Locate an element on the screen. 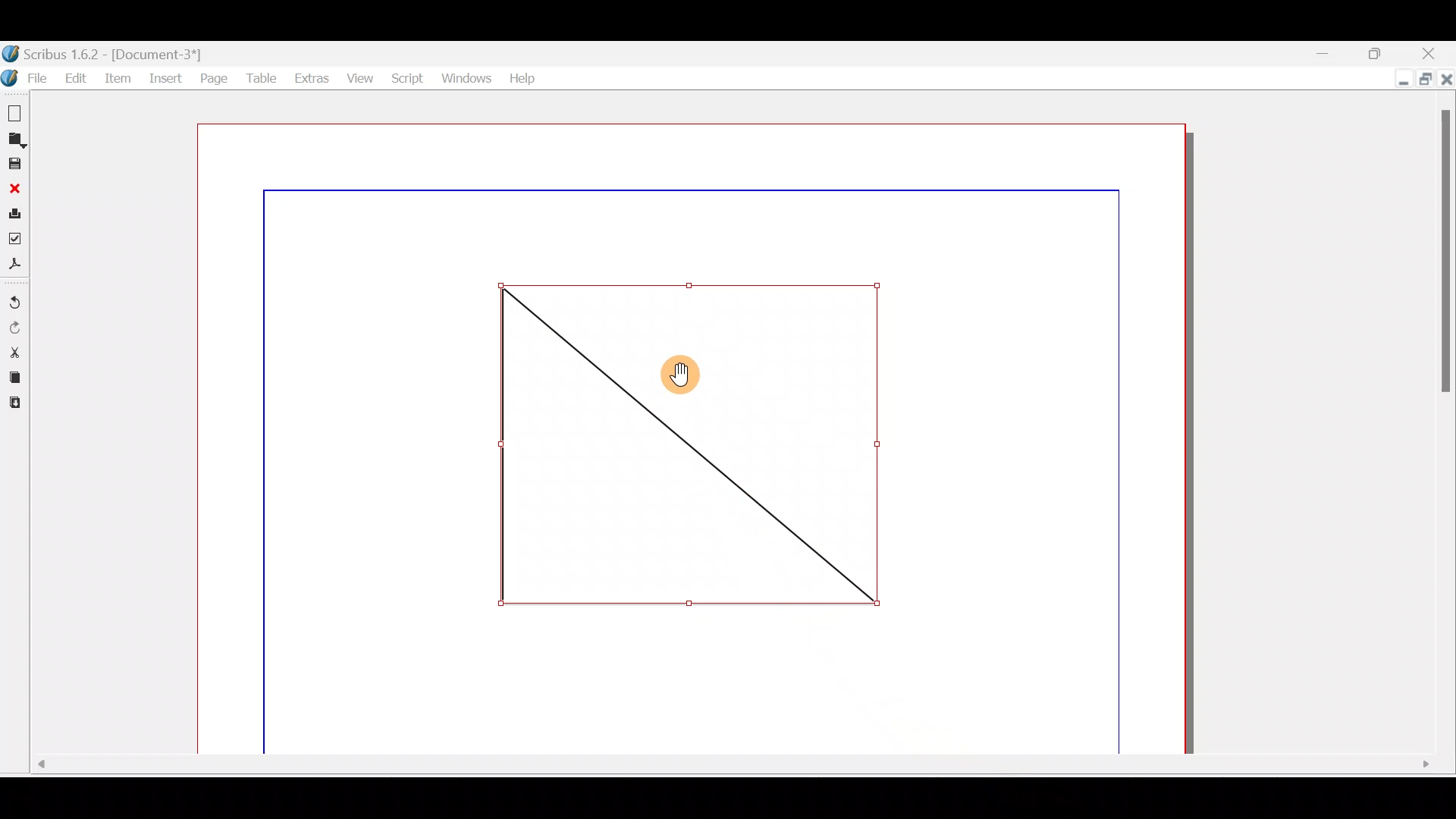  Open is located at coordinates (17, 139).